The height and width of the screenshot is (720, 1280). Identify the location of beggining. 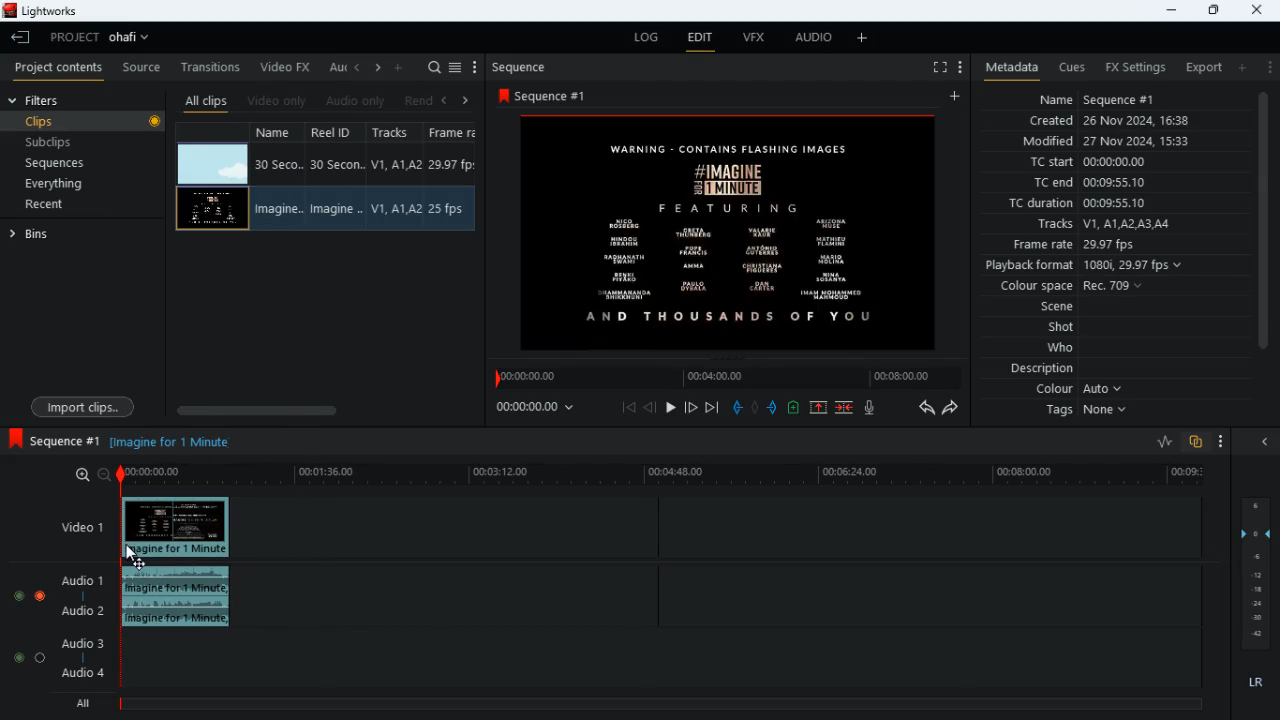
(628, 407).